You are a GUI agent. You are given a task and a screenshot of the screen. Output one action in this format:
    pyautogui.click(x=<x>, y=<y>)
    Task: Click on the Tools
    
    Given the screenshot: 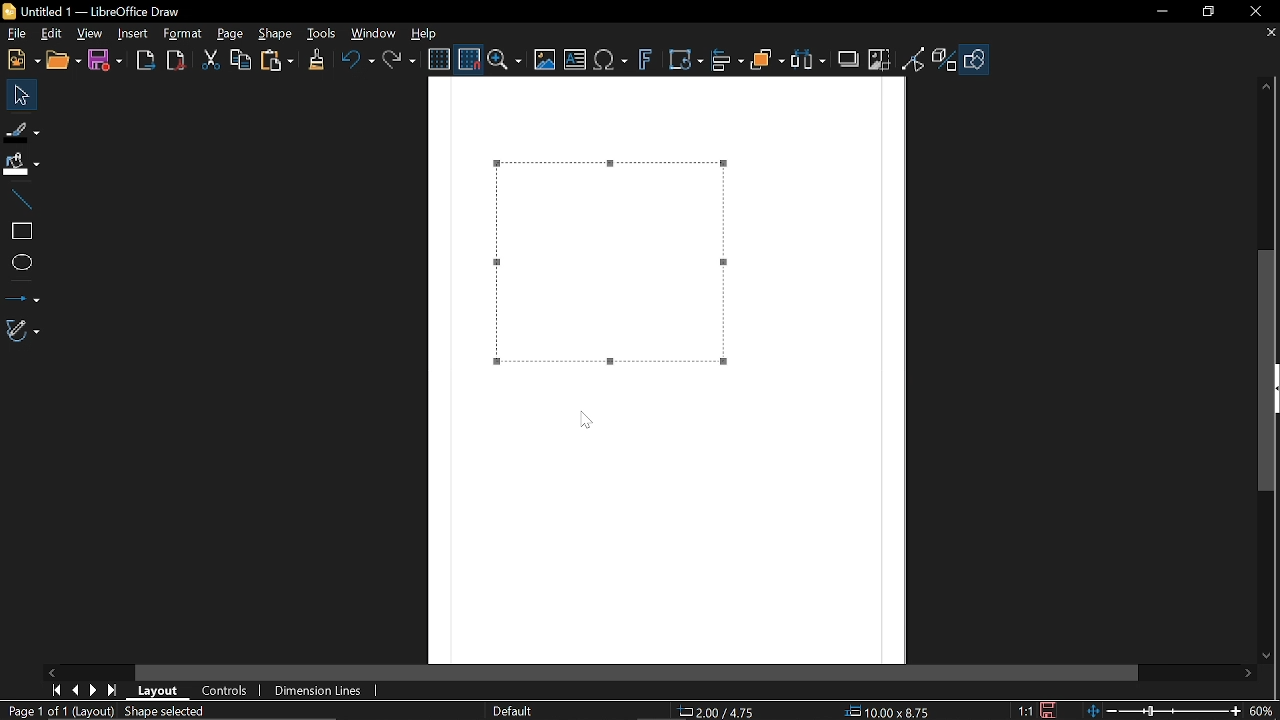 What is the action you would take?
    pyautogui.click(x=322, y=33)
    